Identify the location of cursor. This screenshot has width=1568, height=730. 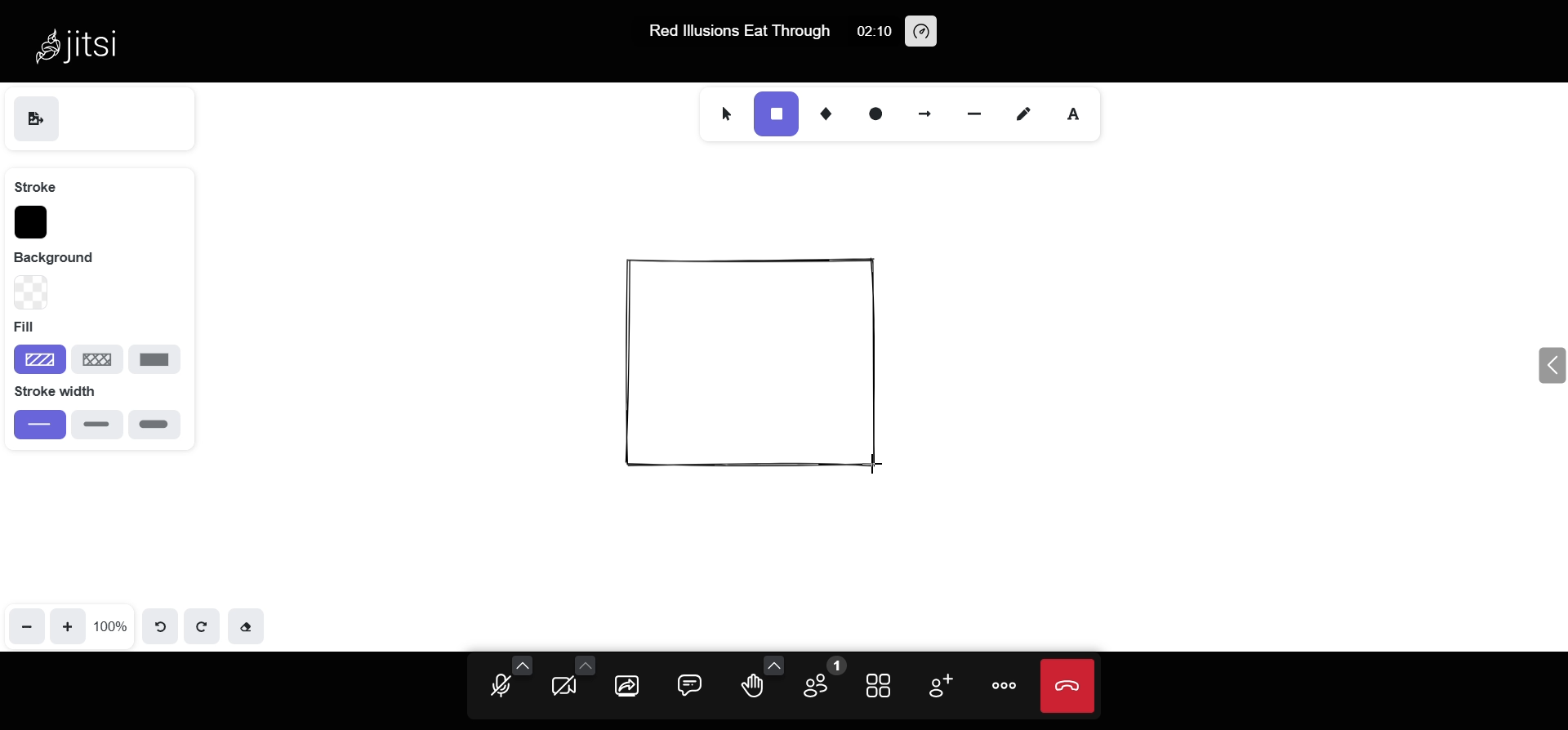
(868, 466).